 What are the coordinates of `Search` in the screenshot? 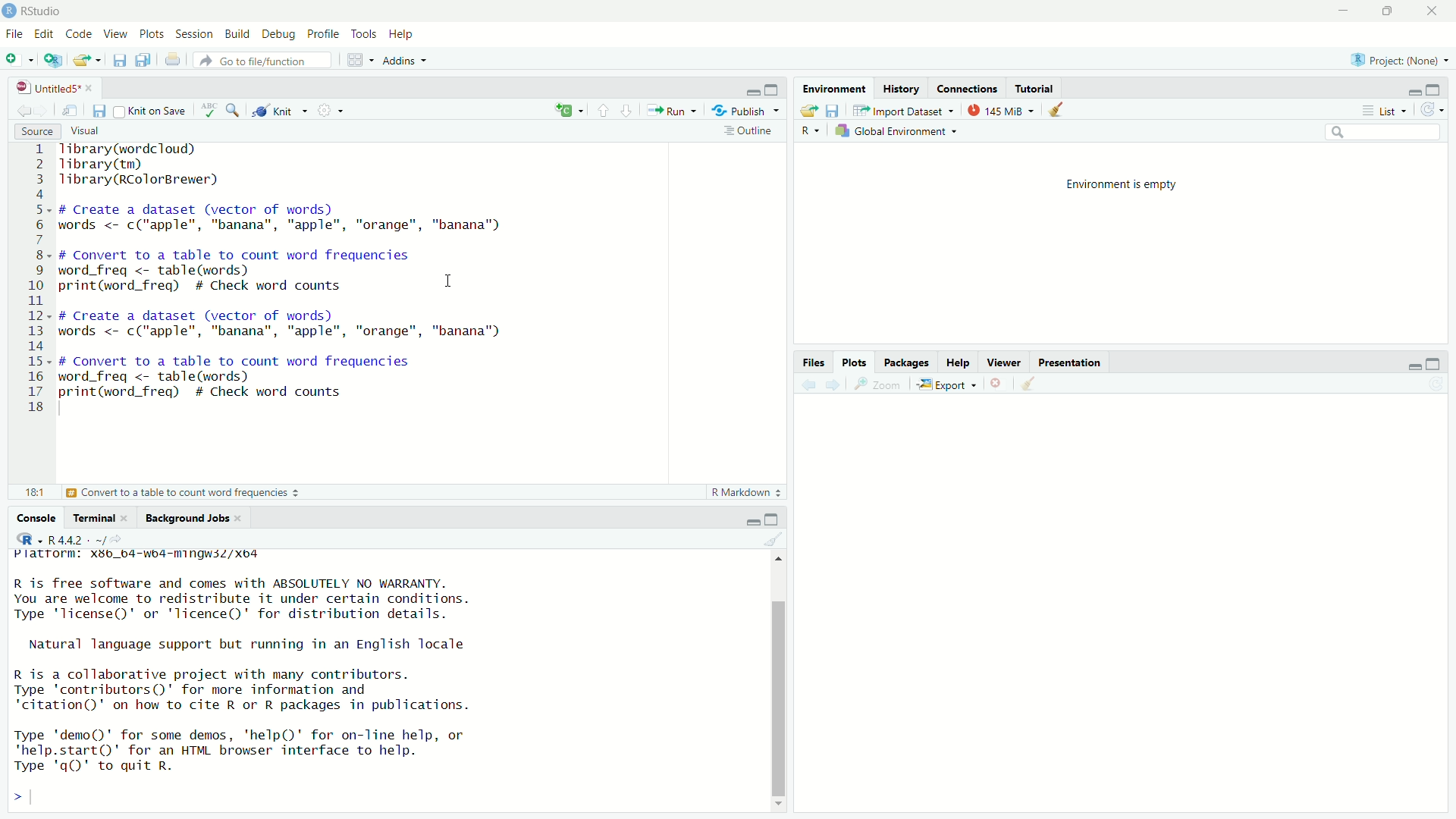 It's located at (1380, 133).